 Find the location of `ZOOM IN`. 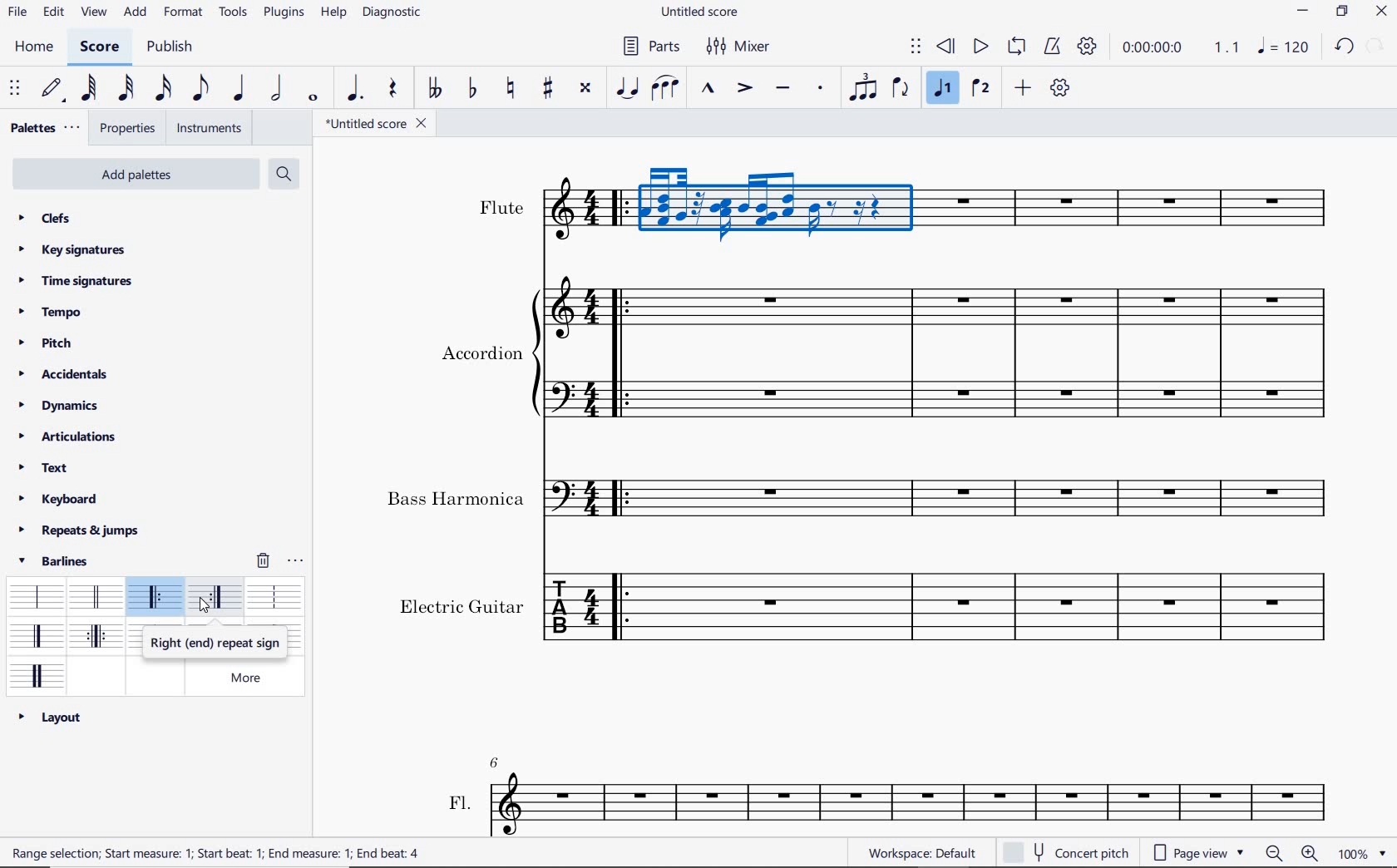

ZOOM IN is located at coordinates (1311, 853).